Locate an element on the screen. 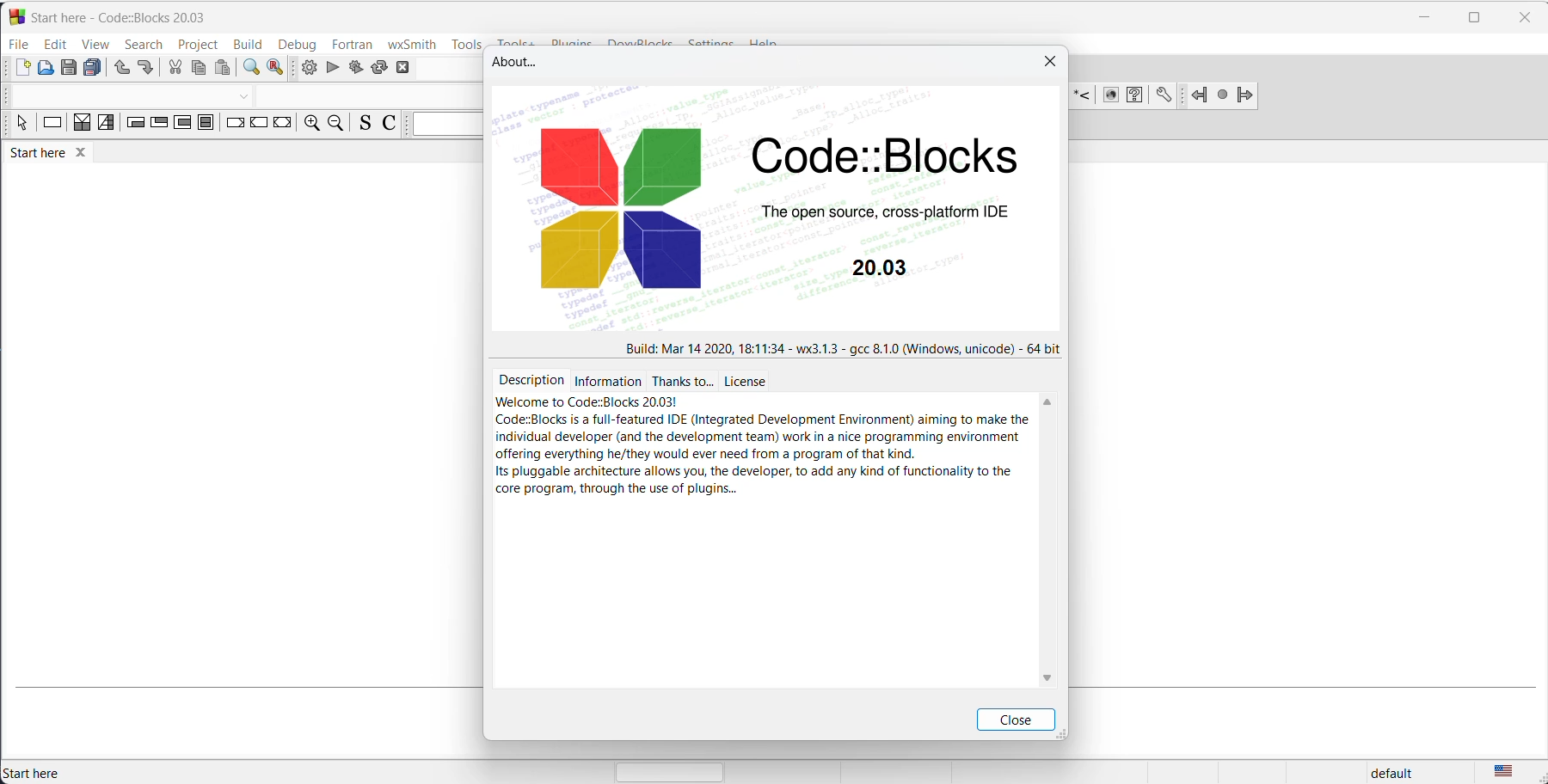 The width and height of the screenshot is (1548, 784). wxSmith is located at coordinates (411, 44).